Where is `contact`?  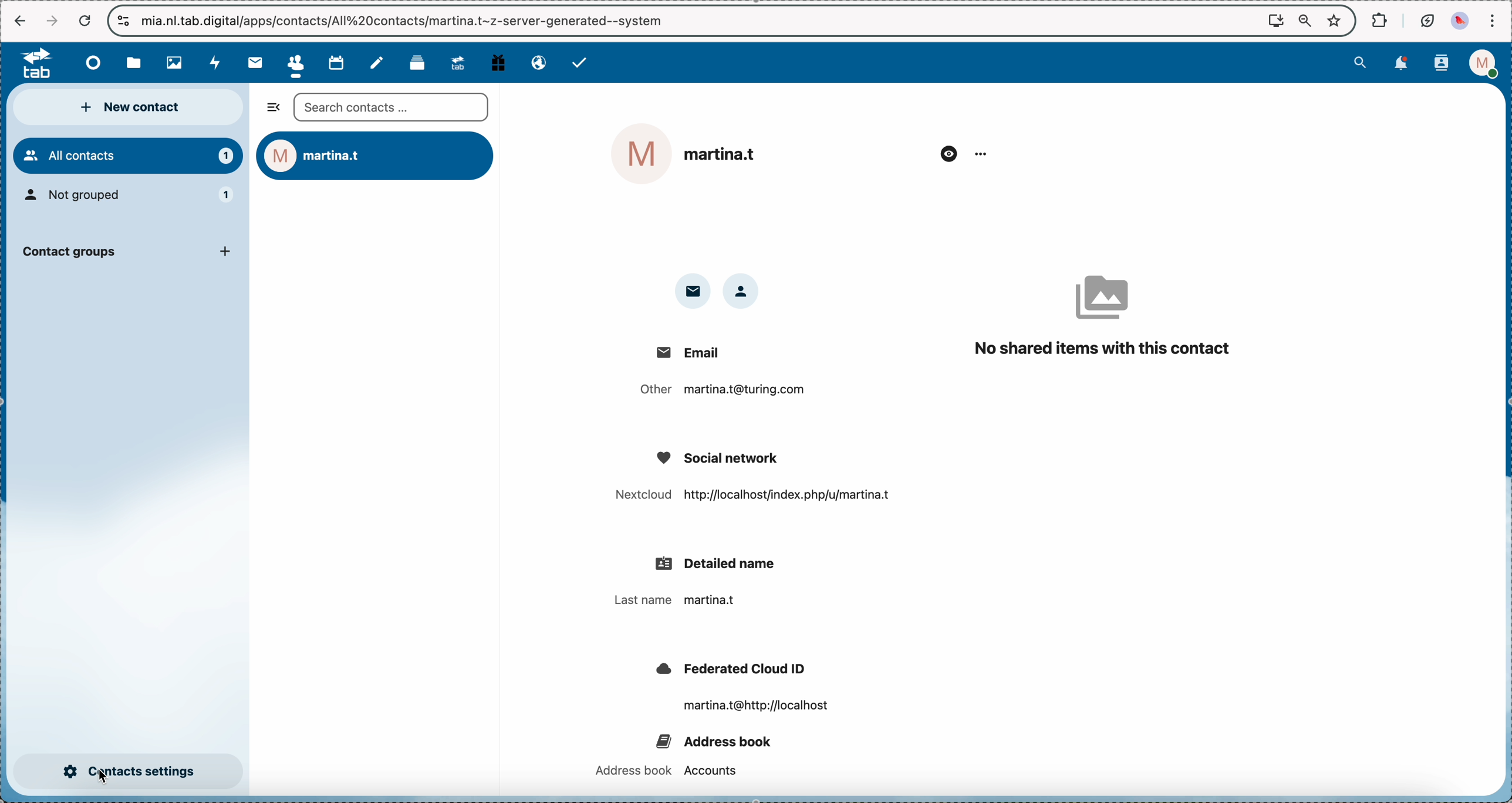
contact is located at coordinates (745, 292).